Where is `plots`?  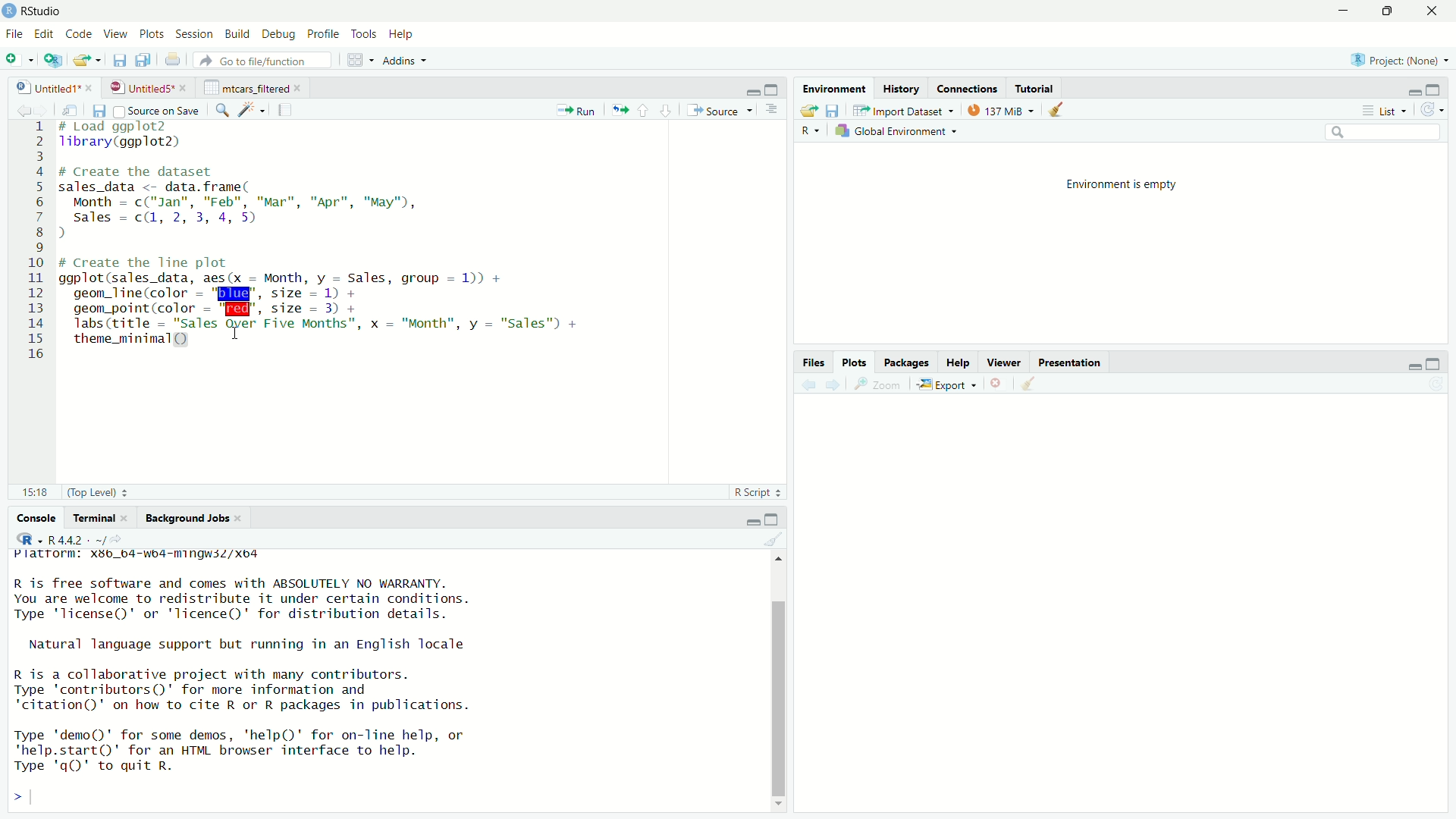
plots is located at coordinates (856, 362).